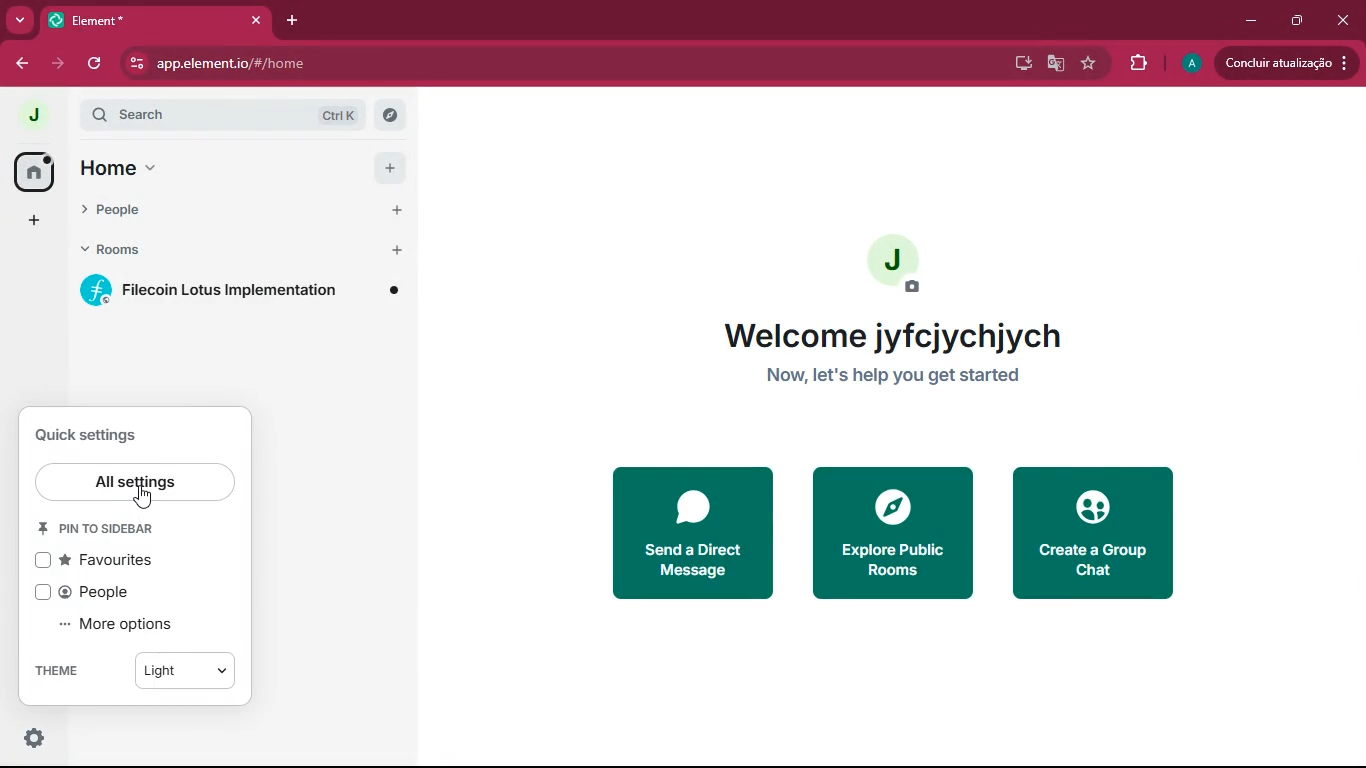 The image size is (1366, 768). I want to click on rooms, so click(237, 251).